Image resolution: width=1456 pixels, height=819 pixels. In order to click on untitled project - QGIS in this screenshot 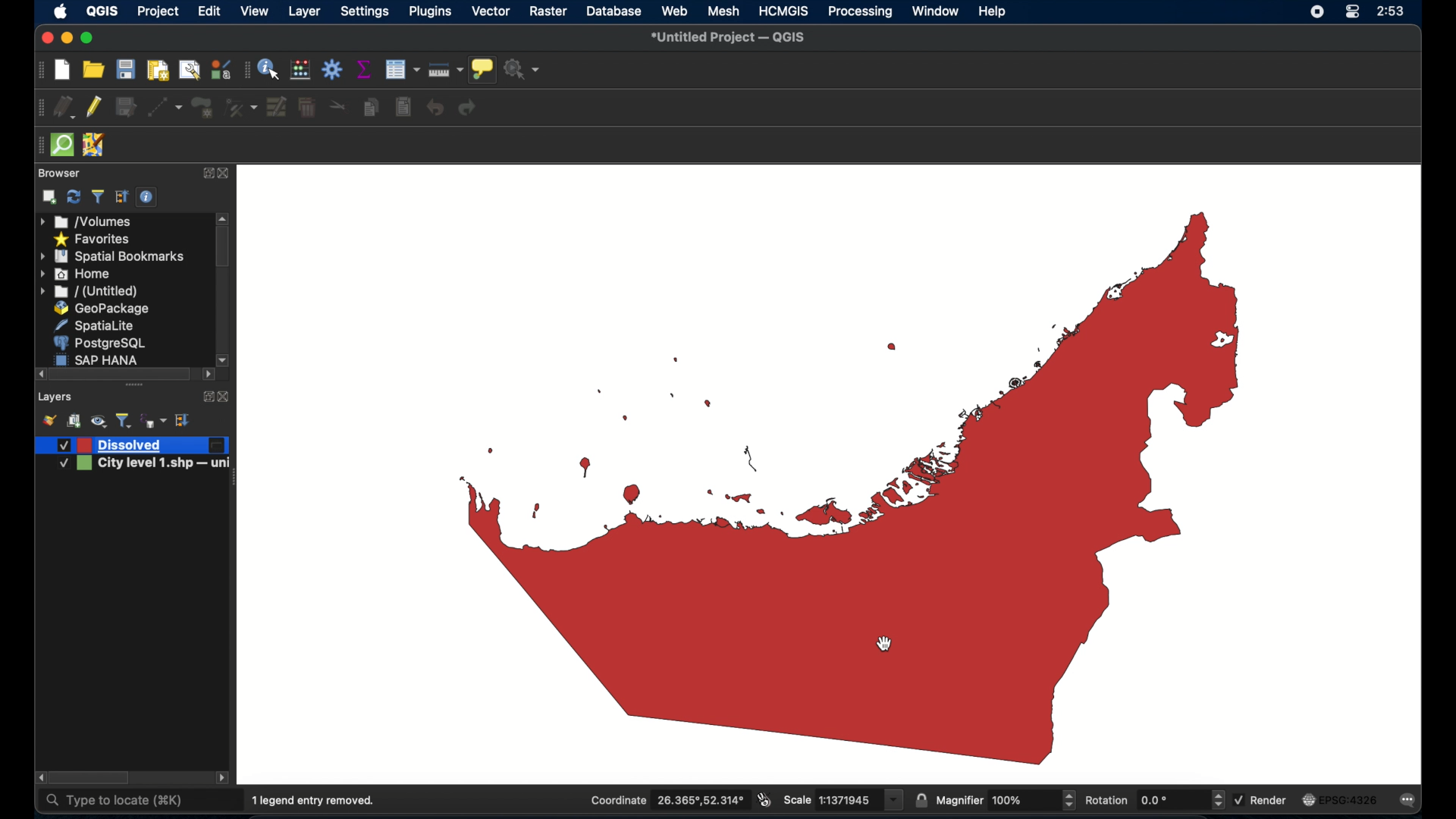, I will do `click(732, 38)`.